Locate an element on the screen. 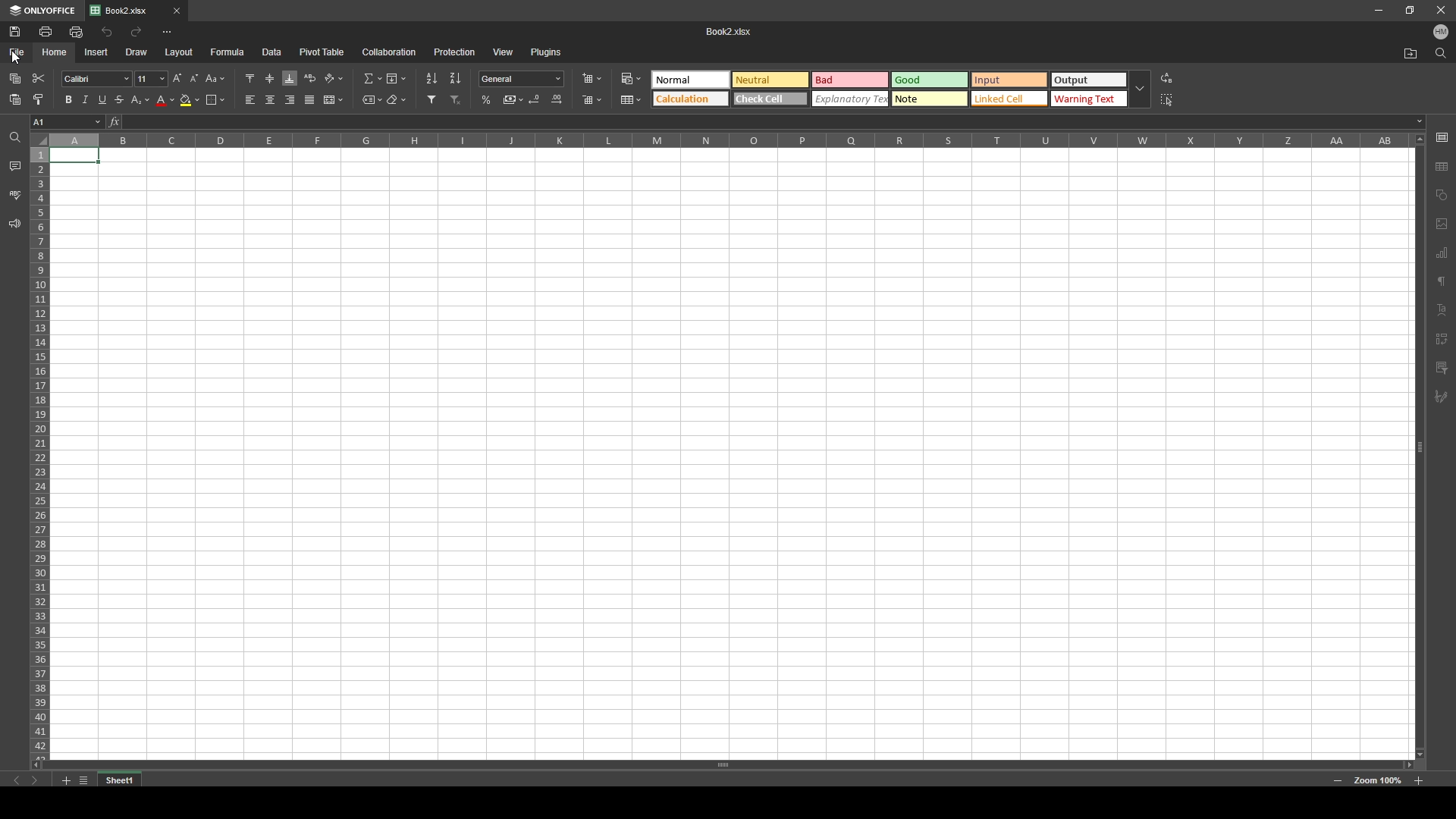 This screenshot has width=1456, height=819. summation is located at coordinates (372, 78).